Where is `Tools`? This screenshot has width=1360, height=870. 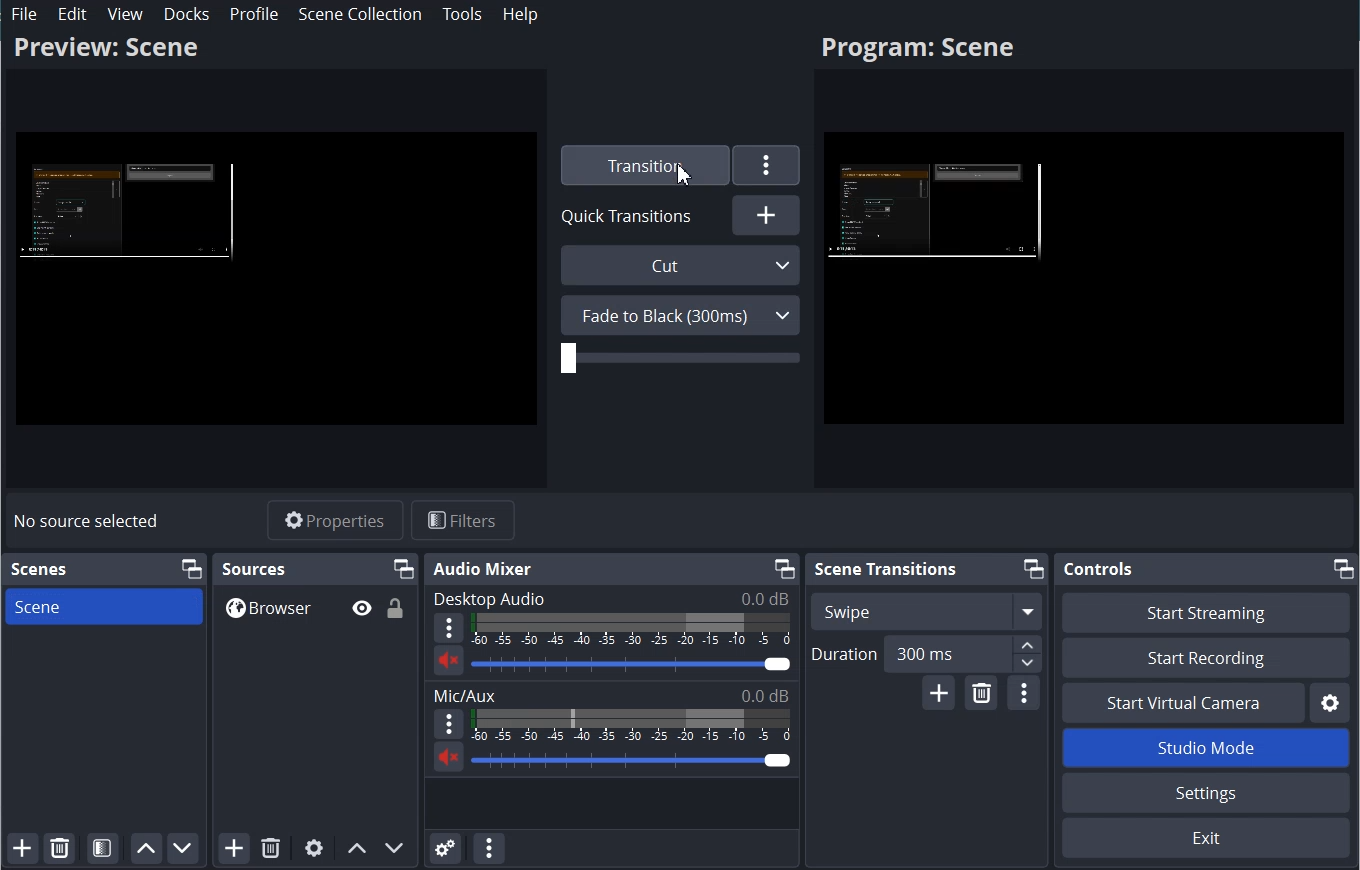 Tools is located at coordinates (462, 14).